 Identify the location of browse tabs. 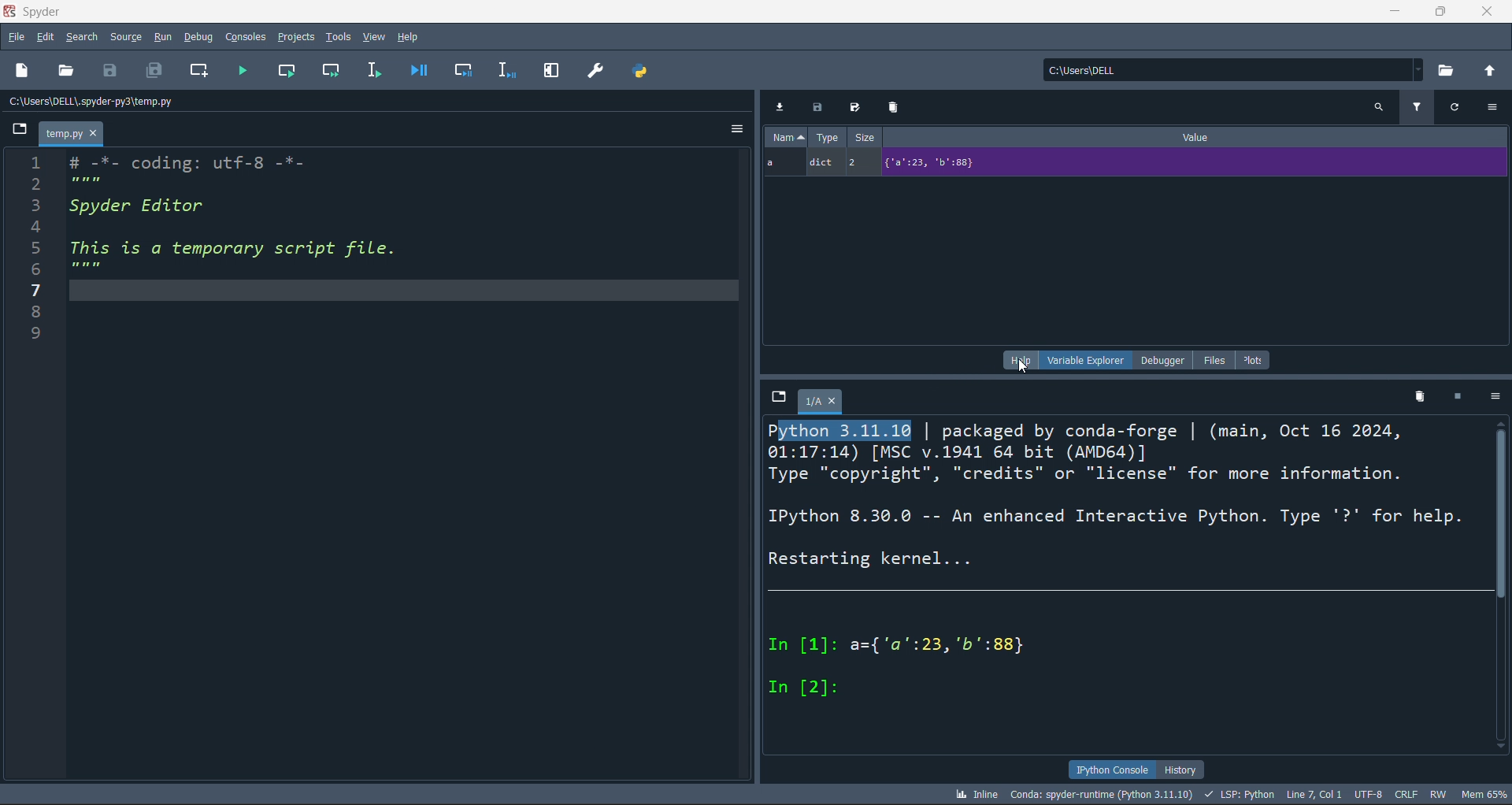
(16, 130).